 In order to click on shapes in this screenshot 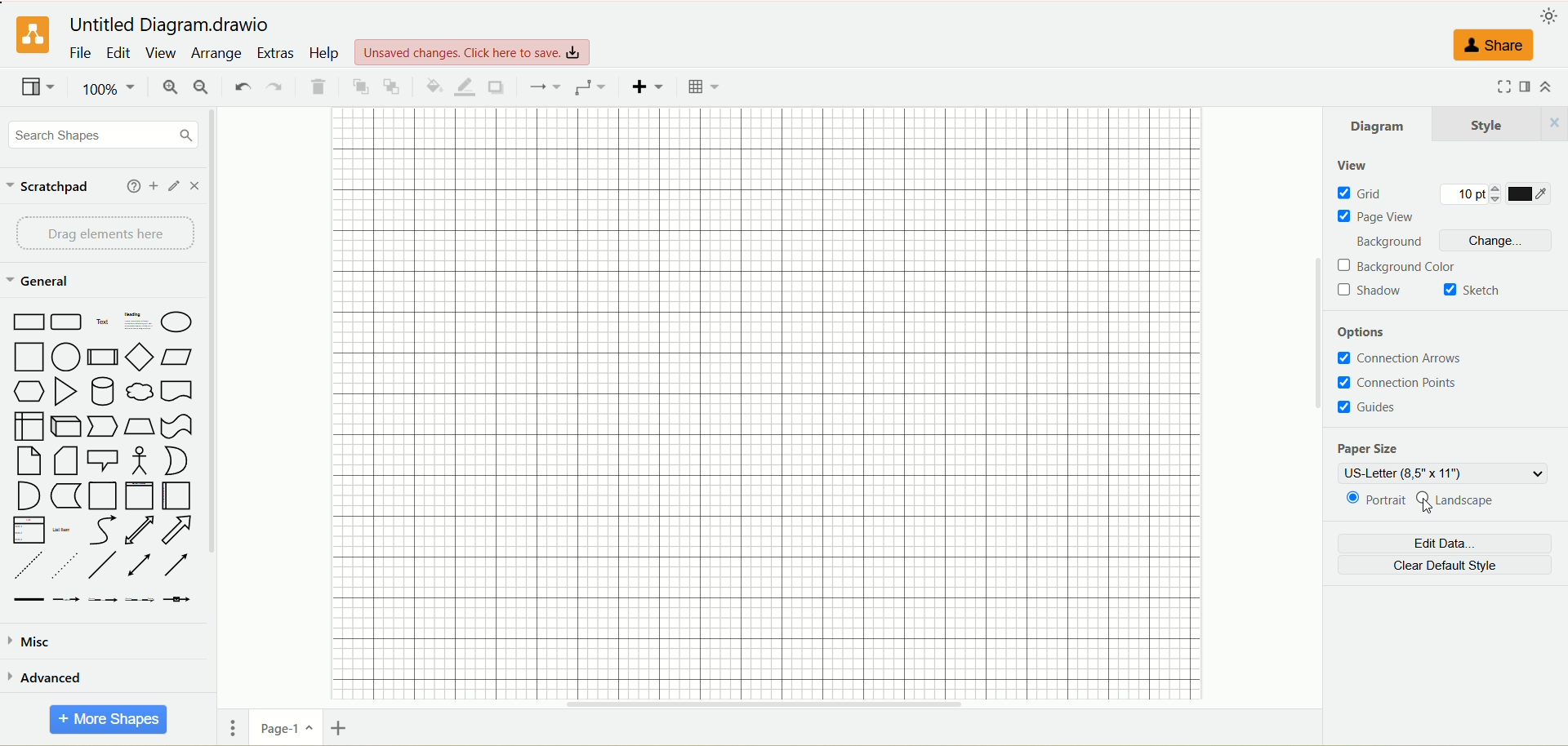, I will do `click(102, 459)`.